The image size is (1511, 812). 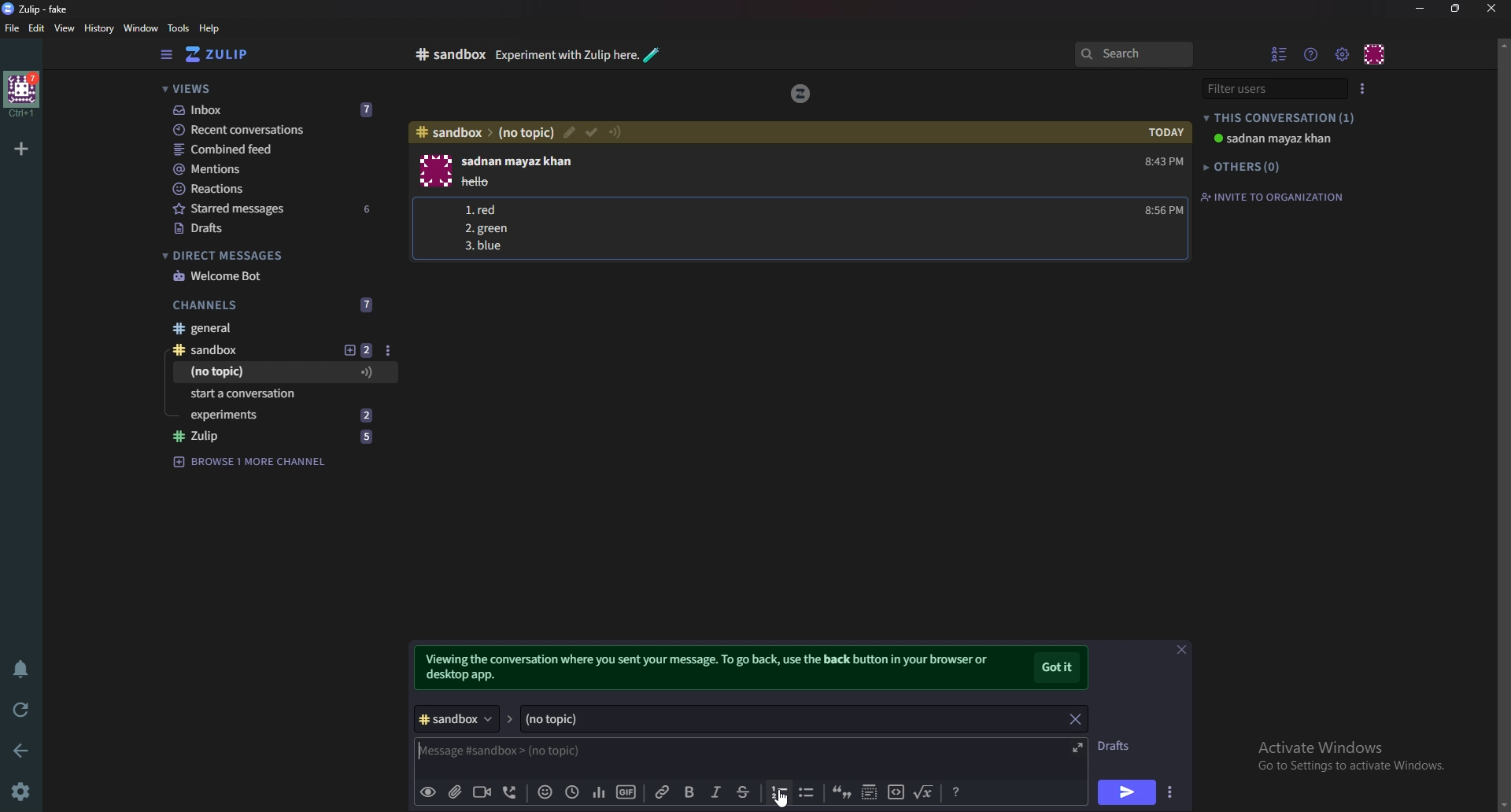 I want to click on Video call, so click(x=484, y=792).